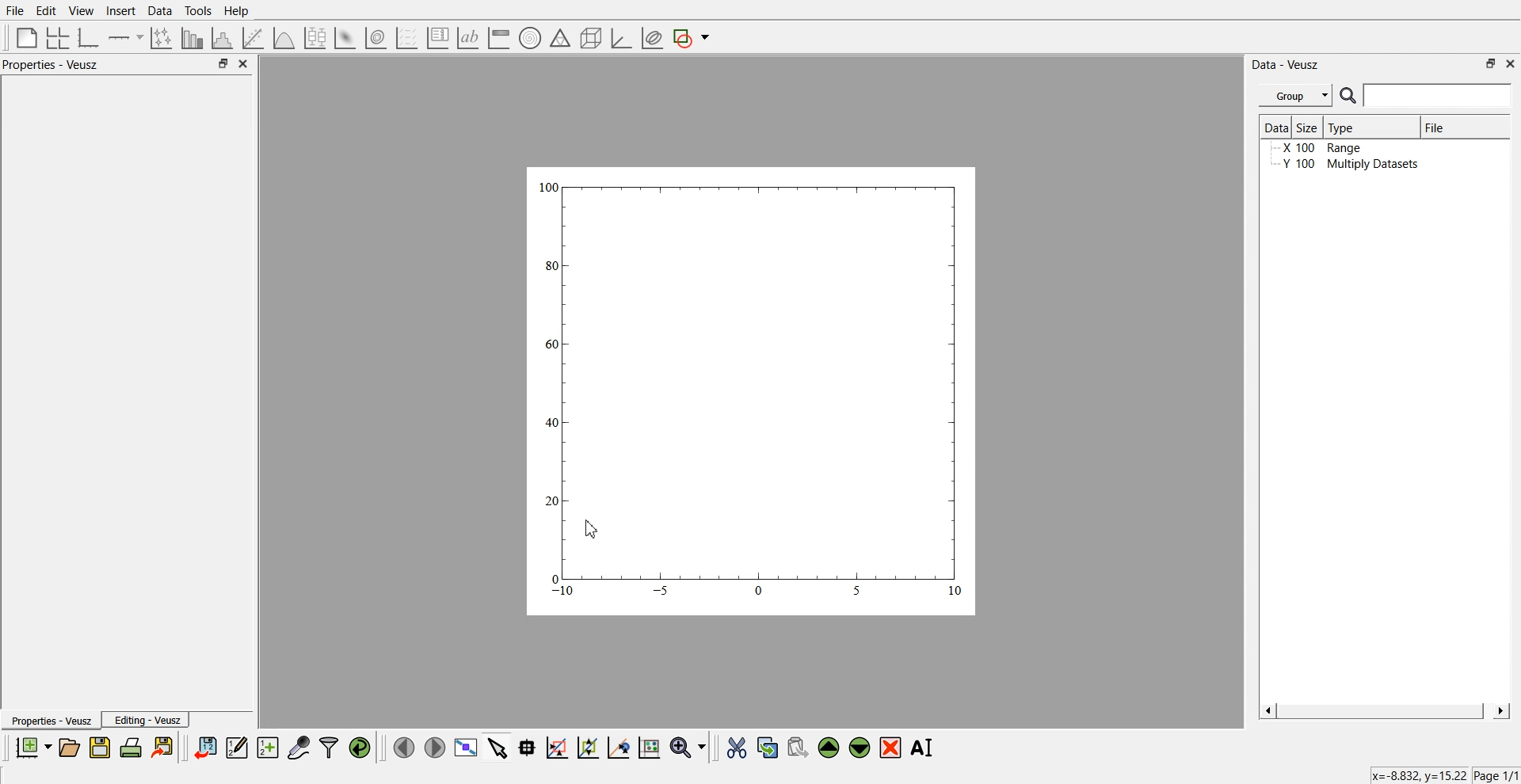 This screenshot has height=784, width=1521. Describe the element at coordinates (244, 64) in the screenshot. I see `close` at that location.